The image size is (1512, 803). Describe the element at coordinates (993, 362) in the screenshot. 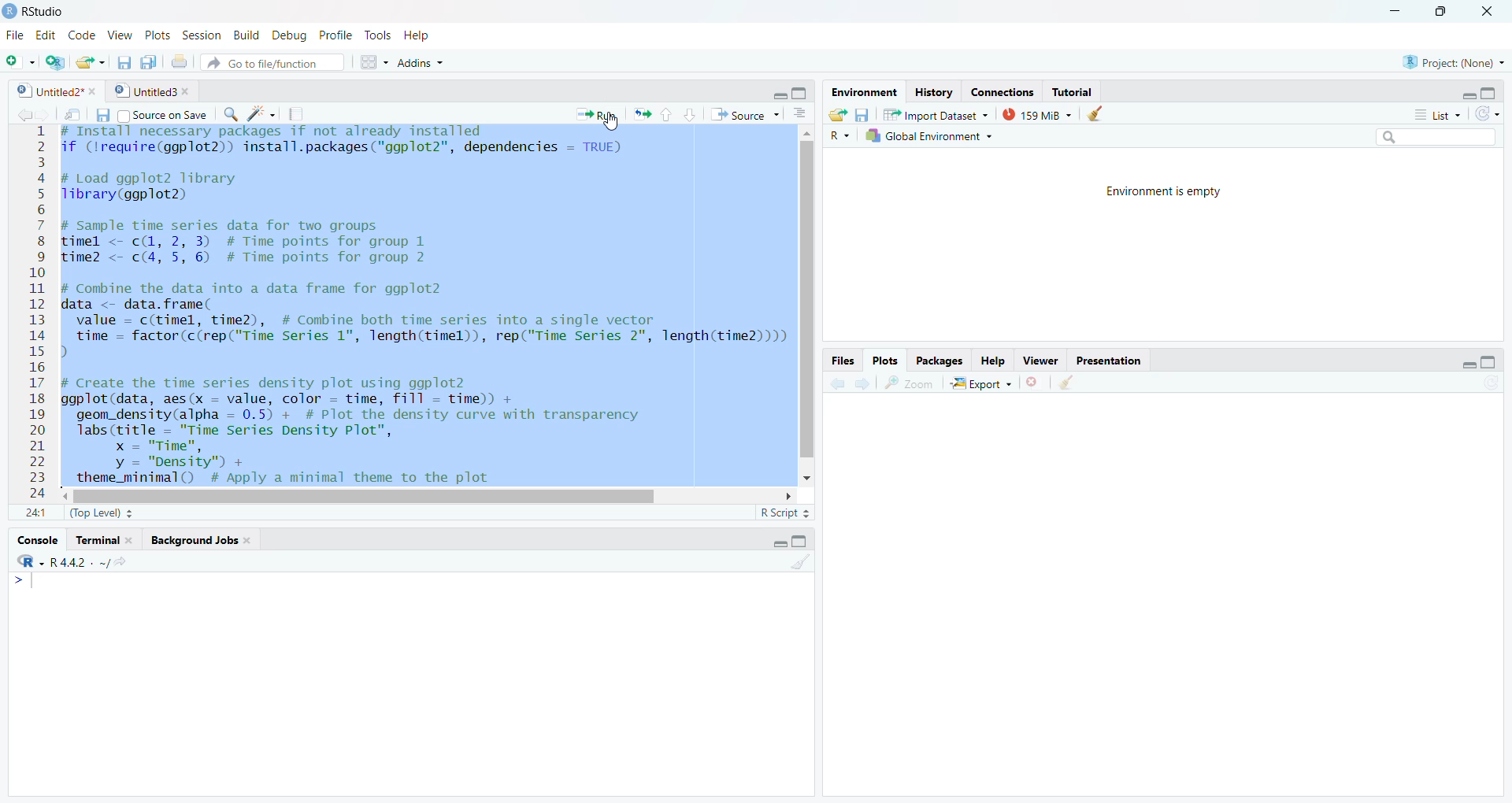

I see `Help` at that location.